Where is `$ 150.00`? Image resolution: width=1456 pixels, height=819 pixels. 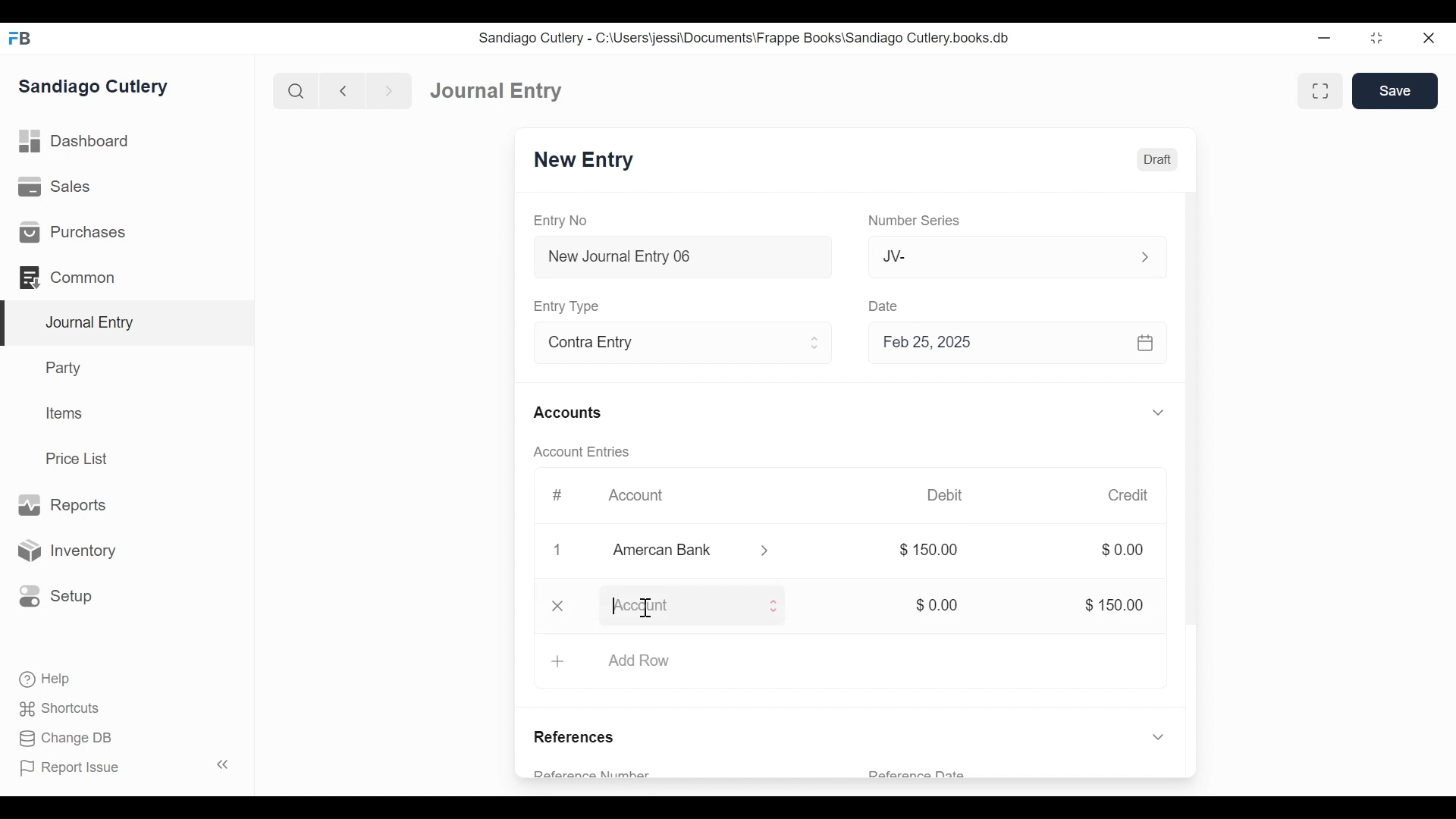
$ 150.00 is located at coordinates (931, 551).